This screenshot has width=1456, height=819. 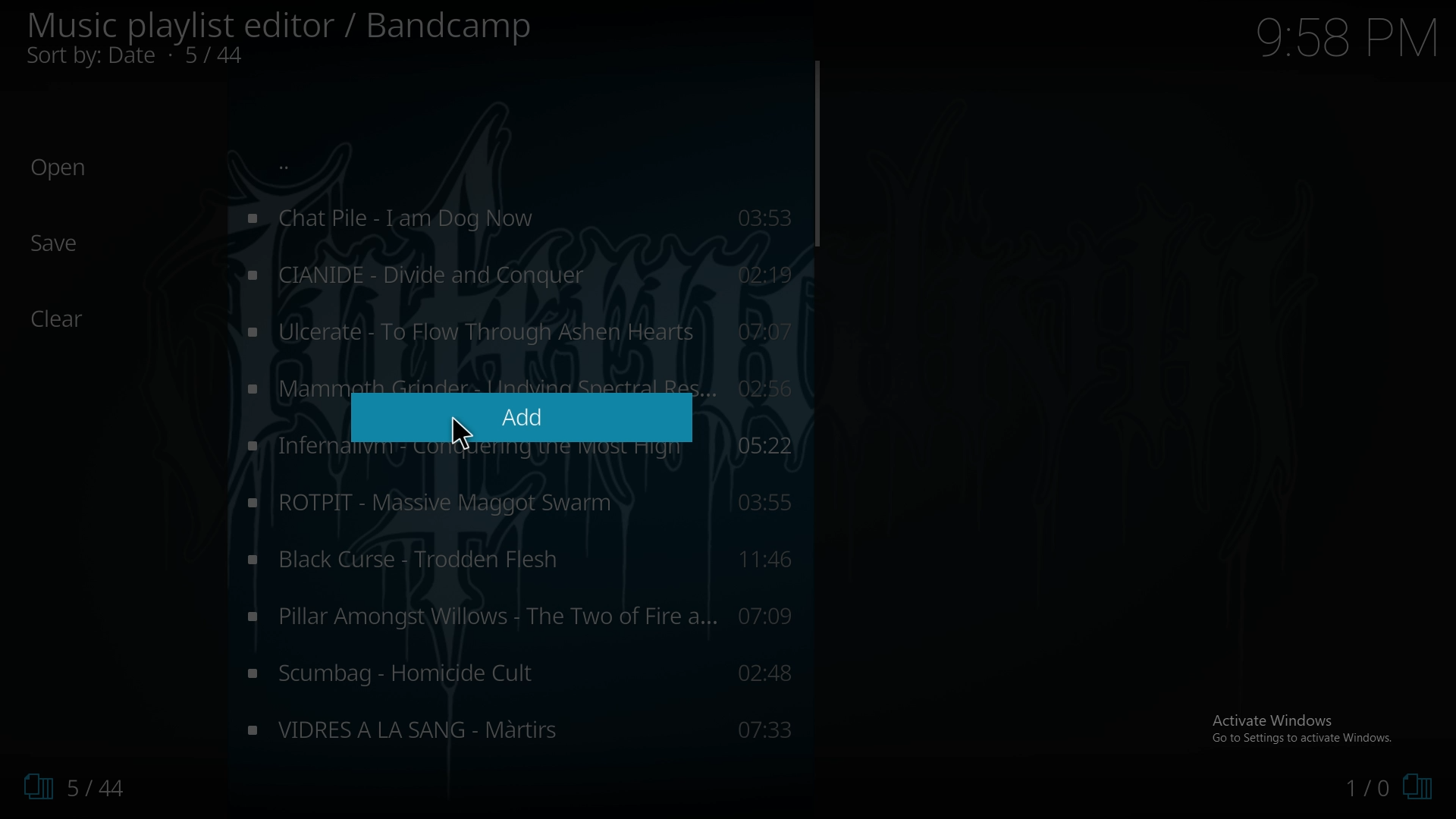 I want to click on music, so click(x=516, y=219).